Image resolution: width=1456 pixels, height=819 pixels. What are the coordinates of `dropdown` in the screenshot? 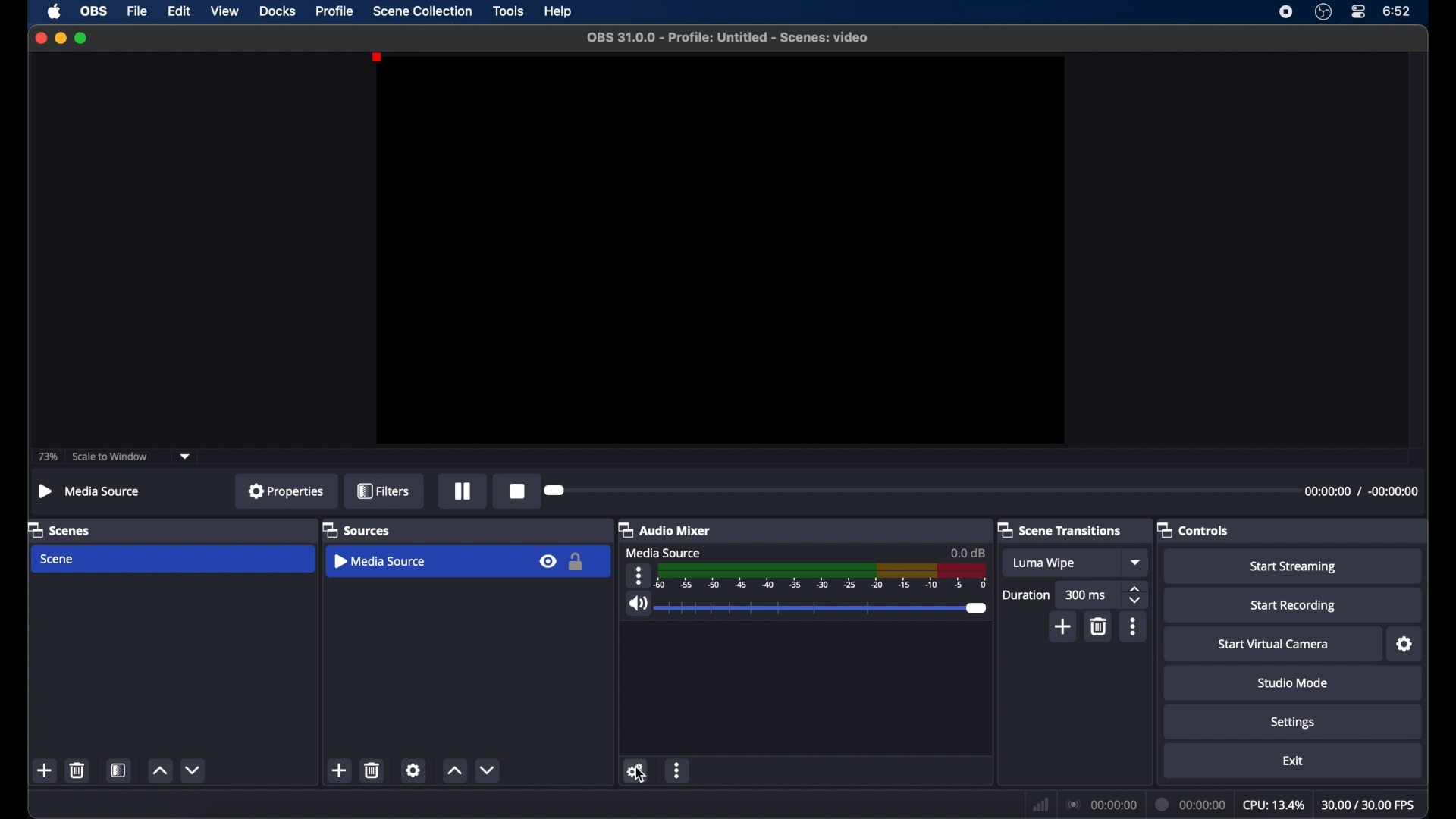 It's located at (187, 457).